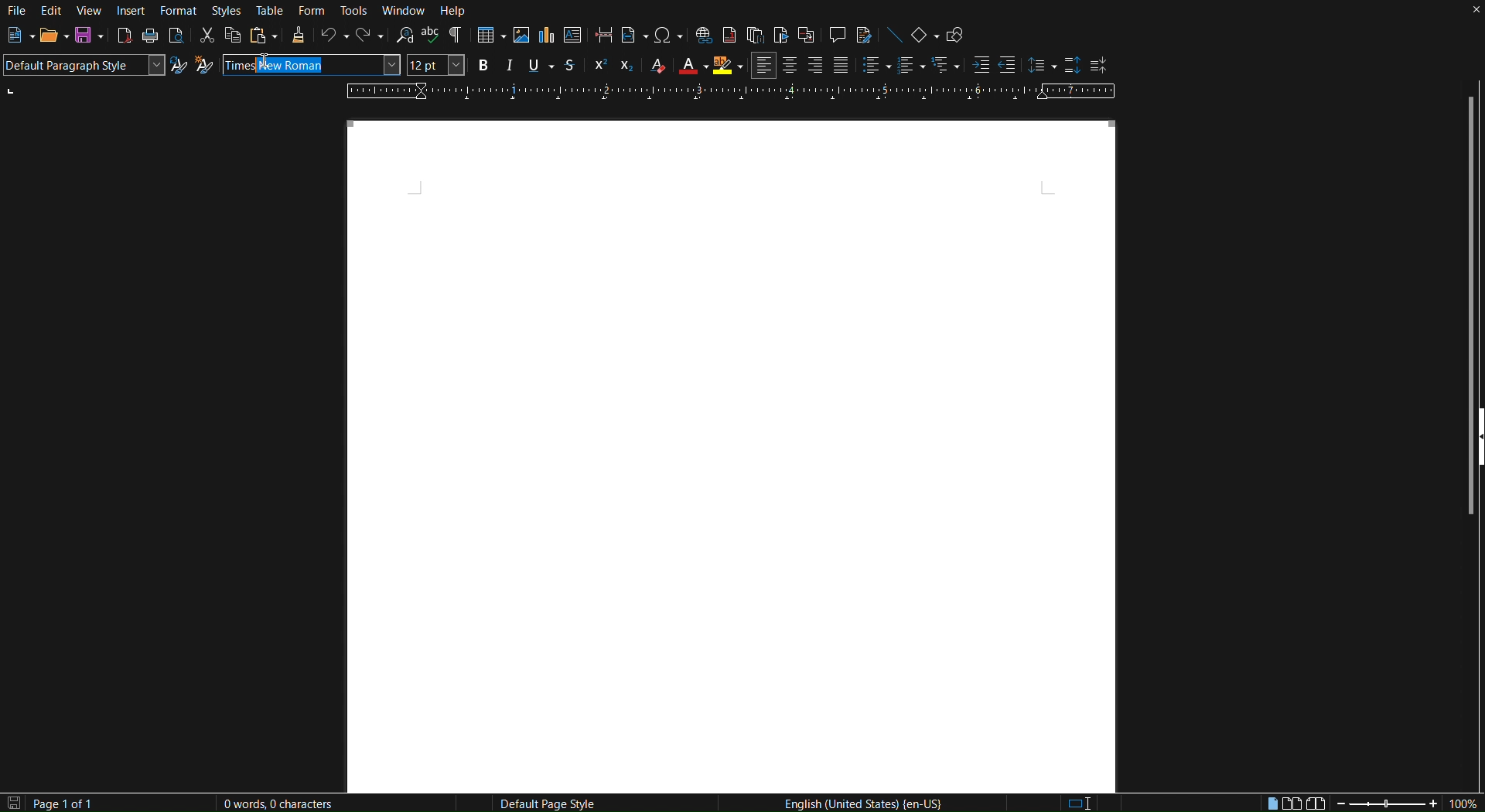  I want to click on Insert page break, so click(601, 36).